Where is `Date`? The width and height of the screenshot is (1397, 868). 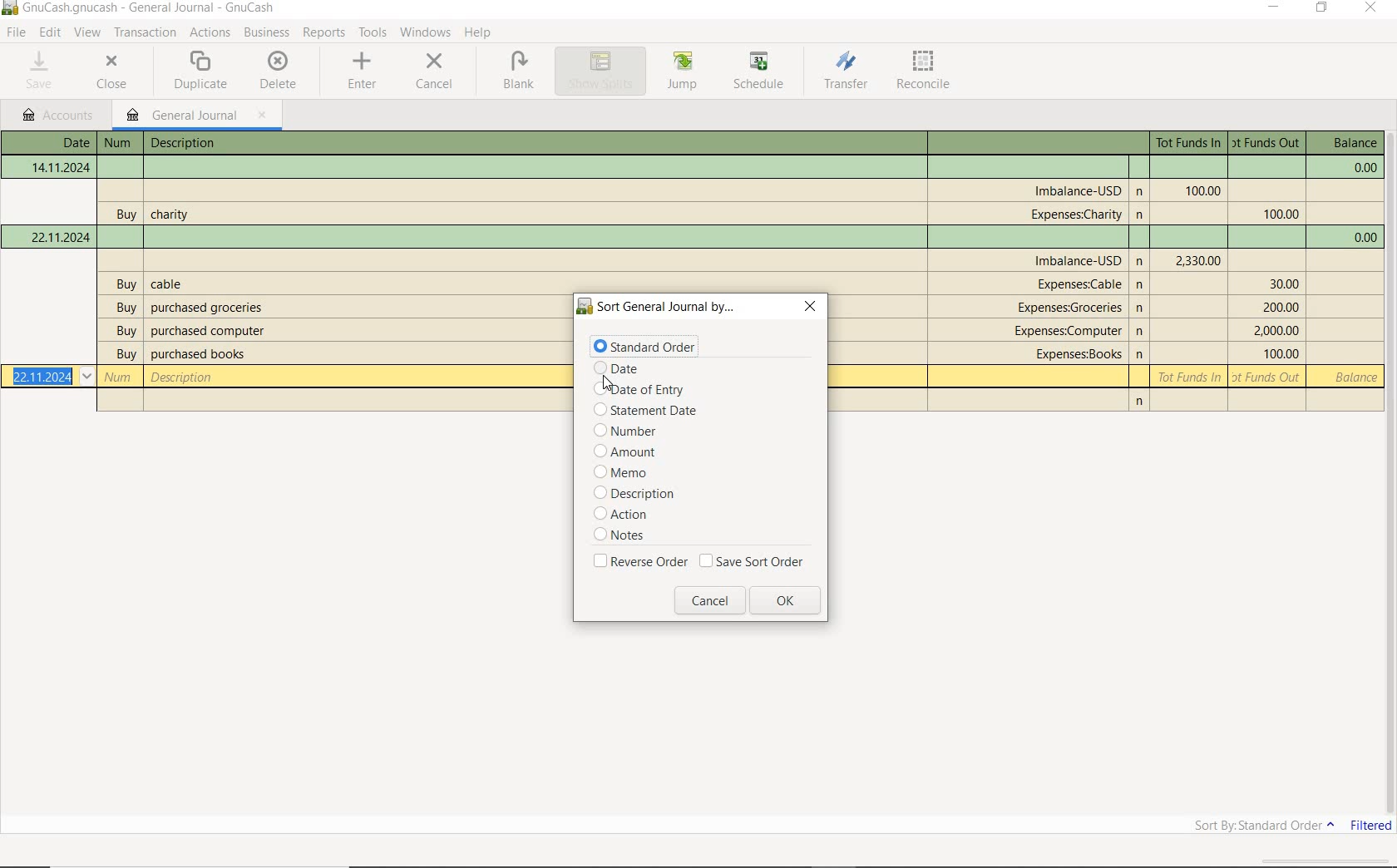
Date is located at coordinates (42, 377).